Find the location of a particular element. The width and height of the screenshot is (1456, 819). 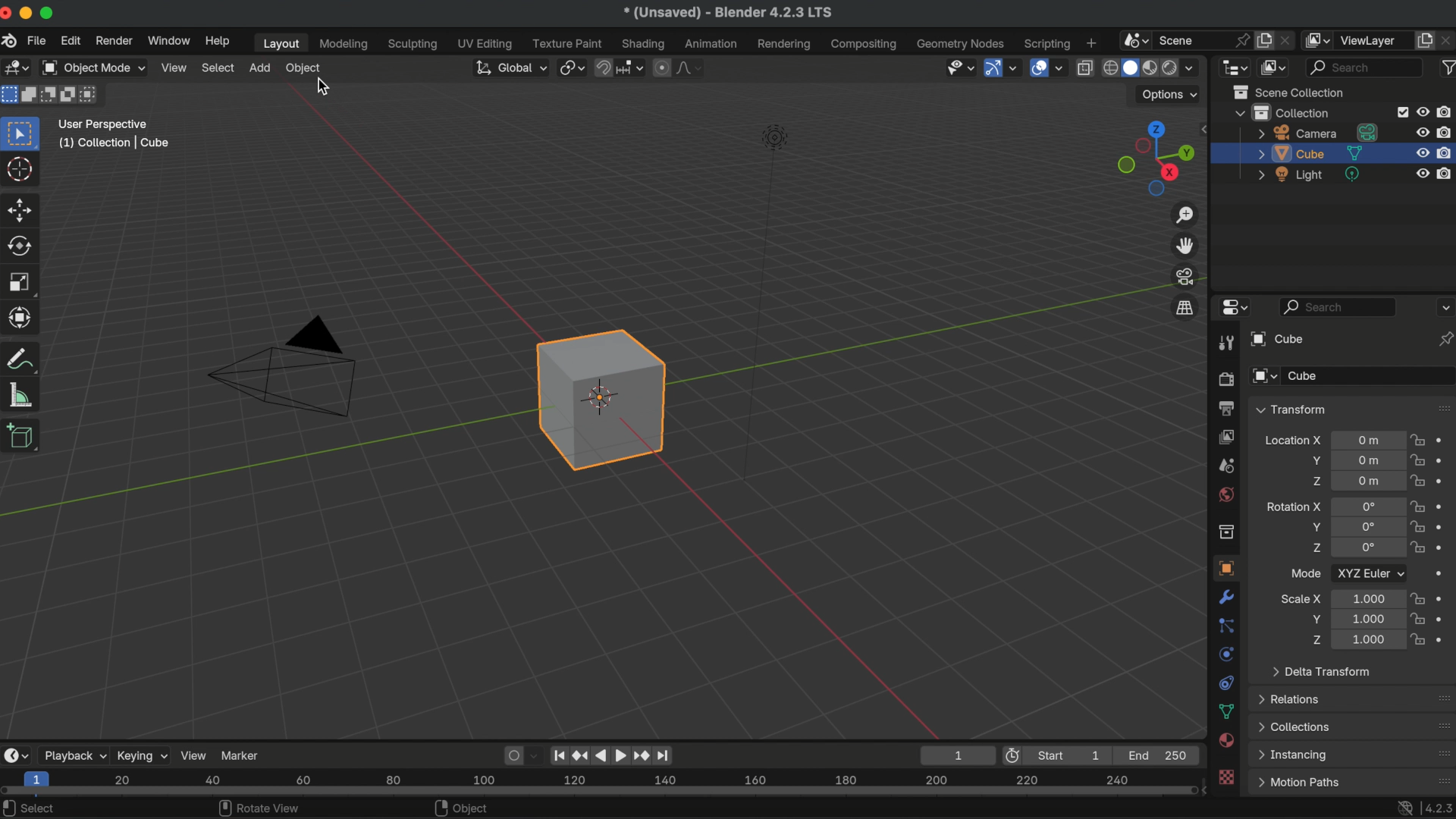

scale location is located at coordinates (1365, 618).